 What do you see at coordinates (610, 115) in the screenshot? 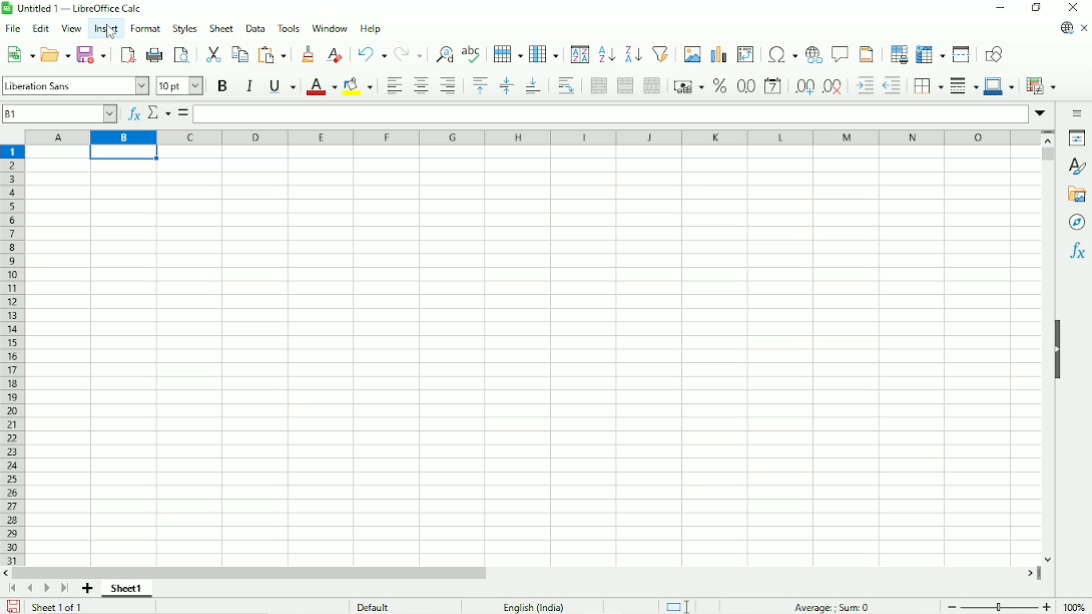
I see `Input line` at bounding box center [610, 115].